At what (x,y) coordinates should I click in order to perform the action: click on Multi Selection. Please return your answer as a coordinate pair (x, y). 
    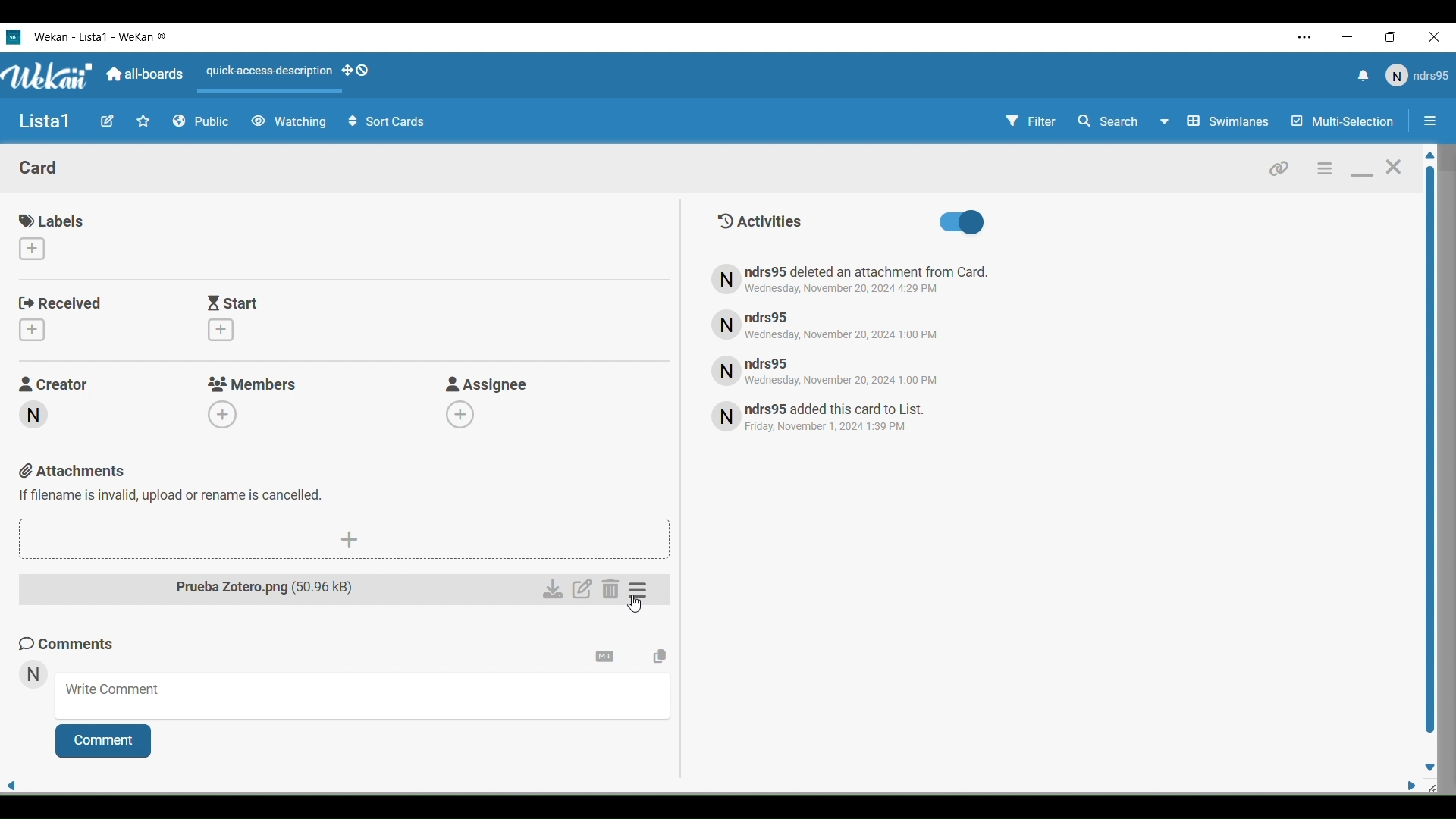
    Looking at the image, I should click on (1341, 122).